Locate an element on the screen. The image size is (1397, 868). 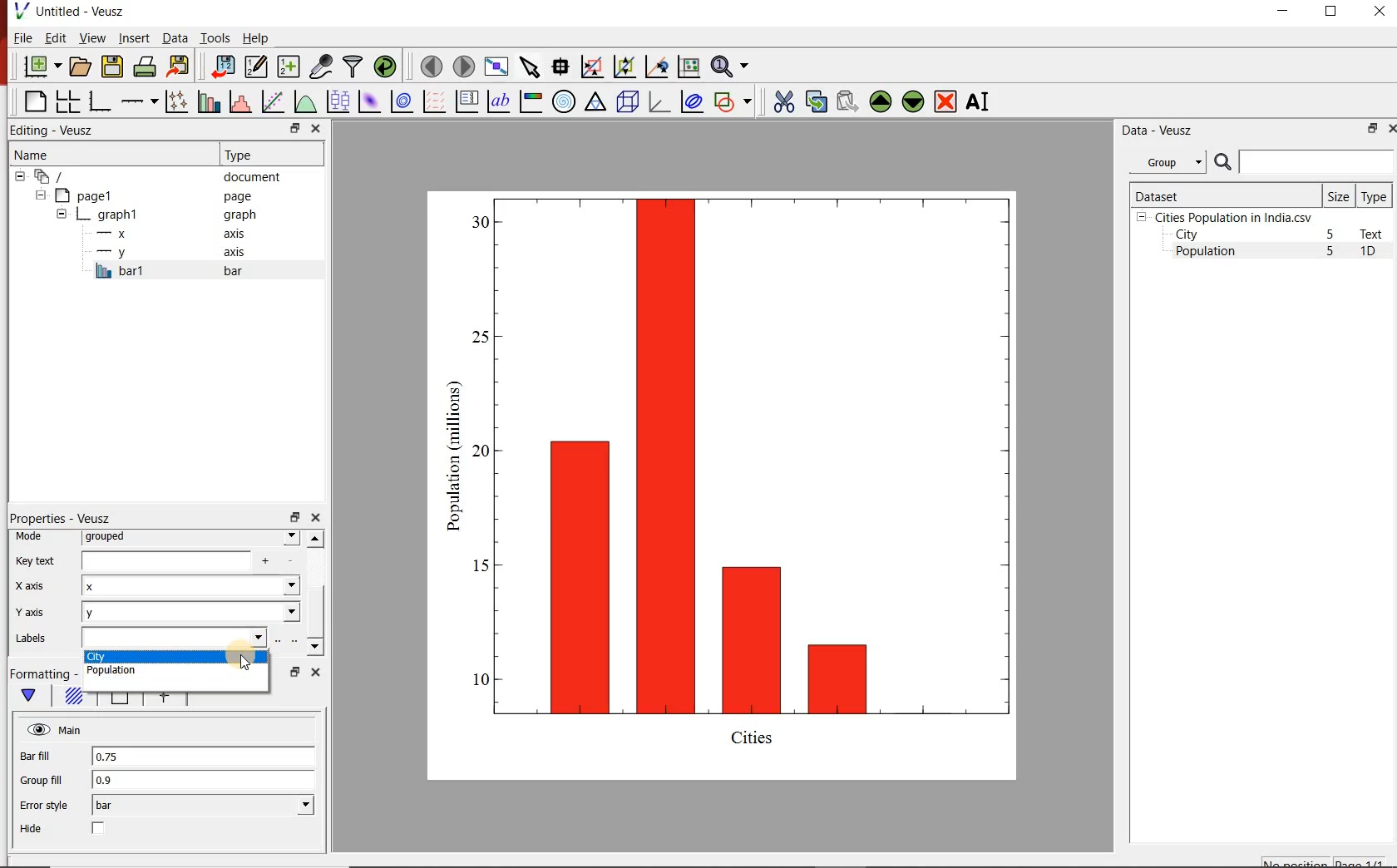
read data points on the graph is located at coordinates (560, 65).